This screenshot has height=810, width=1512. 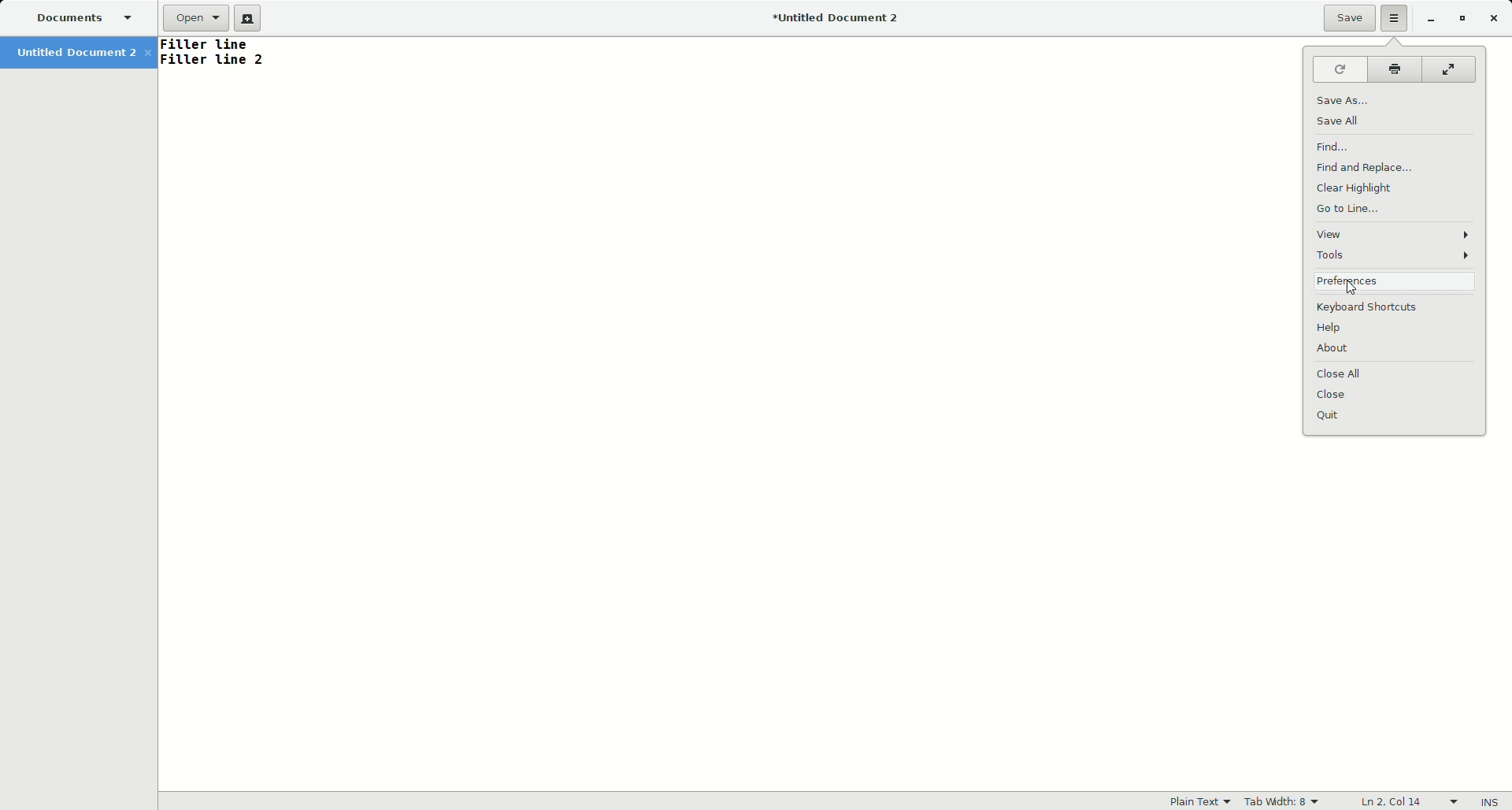 What do you see at coordinates (1491, 802) in the screenshot?
I see `INS` at bounding box center [1491, 802].